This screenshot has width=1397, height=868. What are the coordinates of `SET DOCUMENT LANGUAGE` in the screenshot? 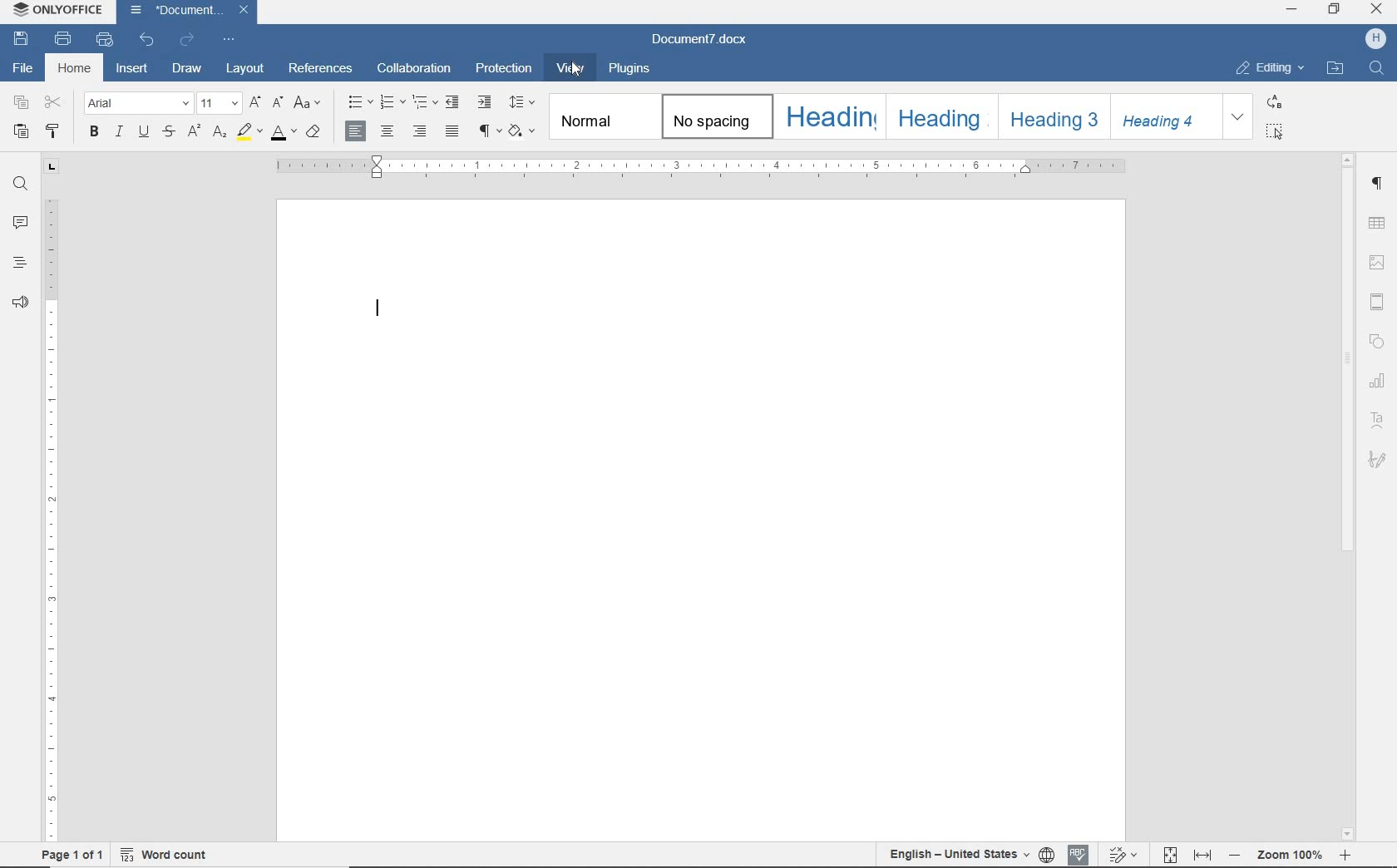 It's located at (1045, 854).